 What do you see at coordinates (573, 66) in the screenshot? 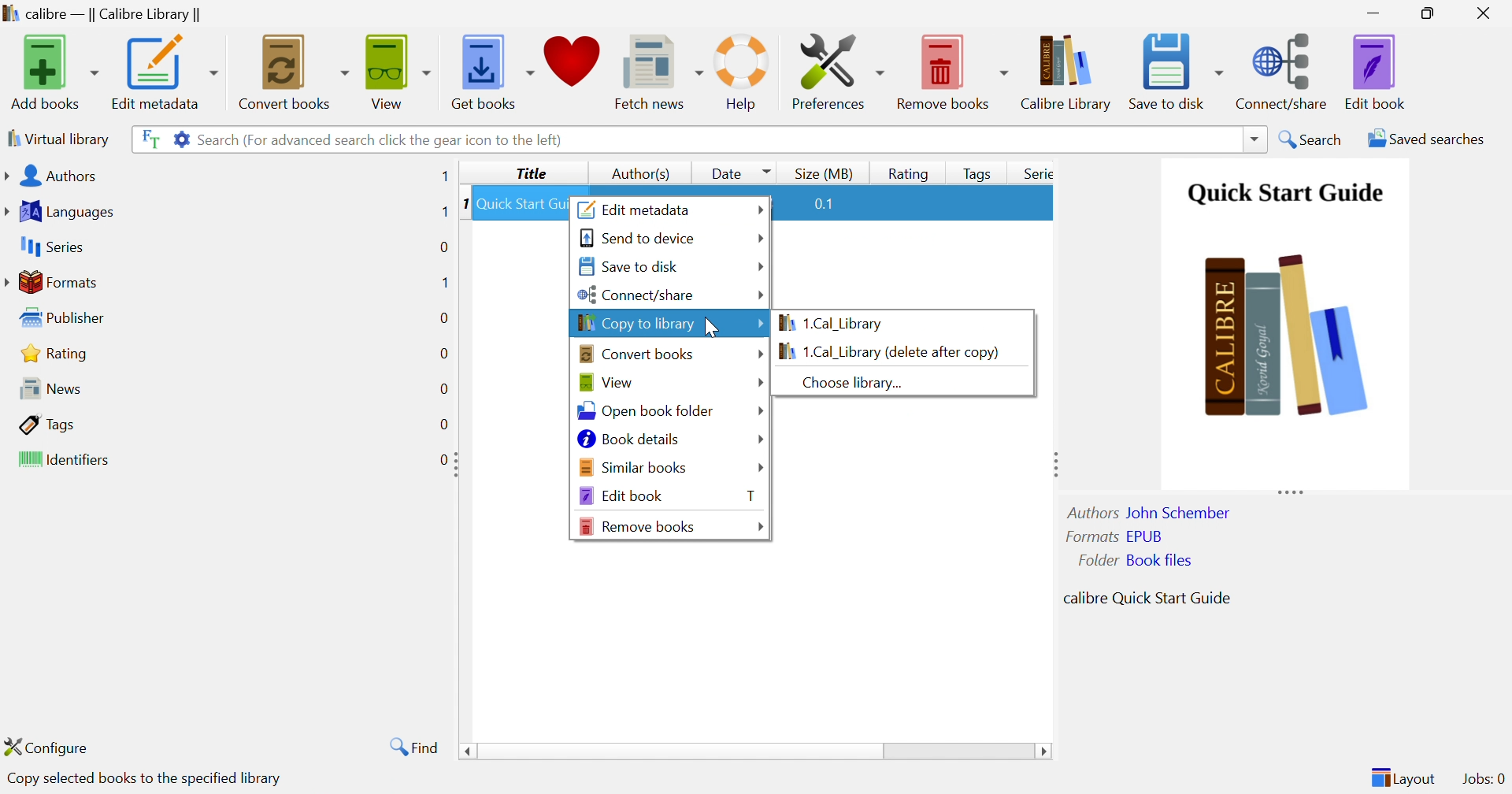
I see `Donate to support Calibre` at bounding box center [573, 66].